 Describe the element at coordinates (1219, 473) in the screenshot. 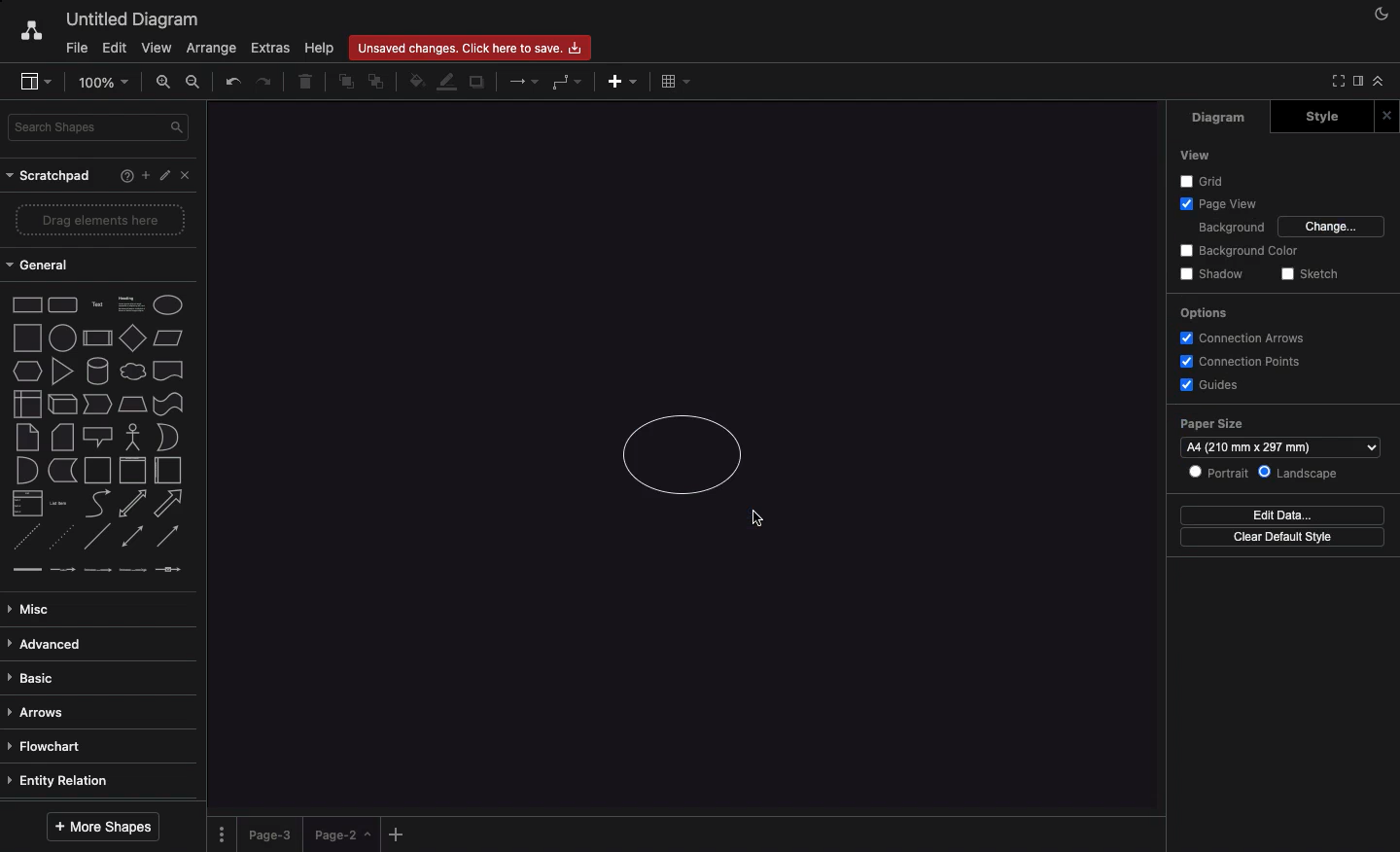

I see `Portrait` at that location.